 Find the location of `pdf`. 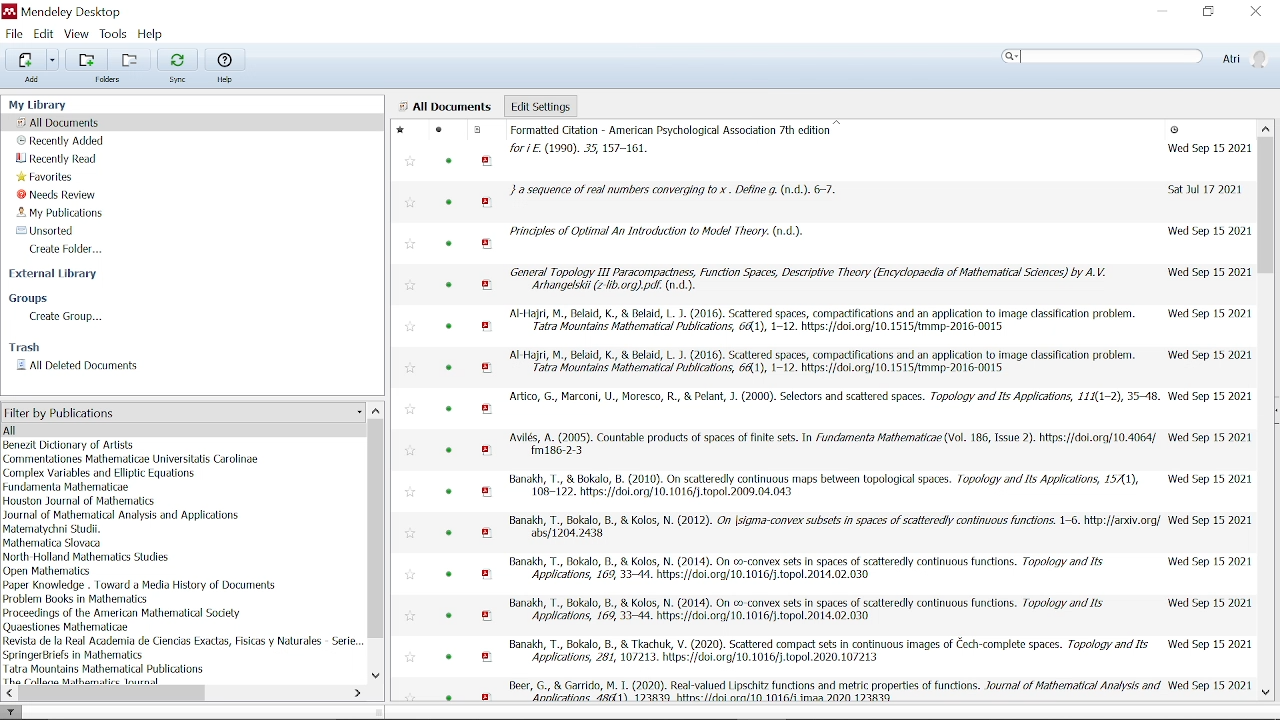

pdf is located at coordinates (488, 451).